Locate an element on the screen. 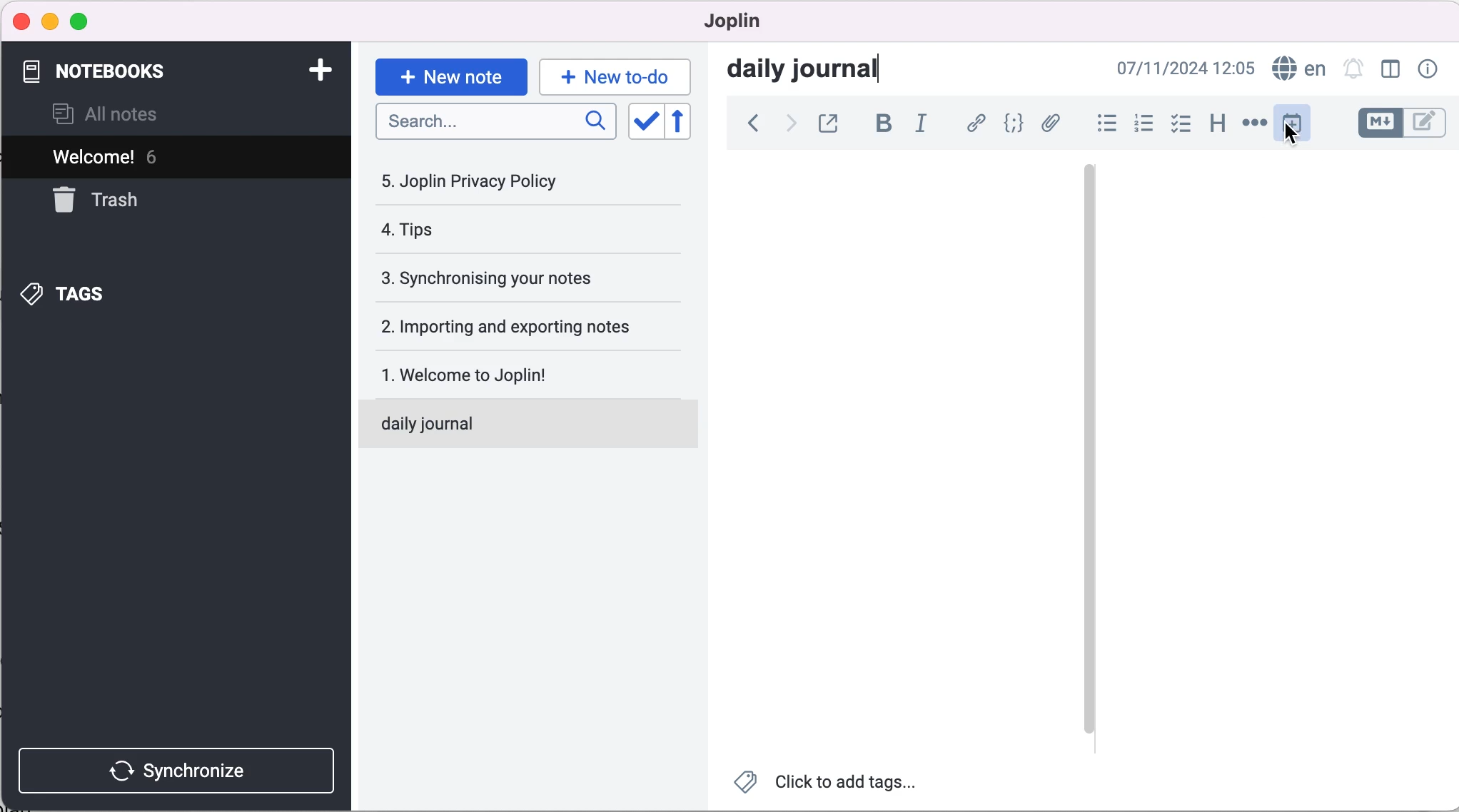 Image resolution: width=1459 pixels, height=812 pixels. synchronize is located at coordinates (180, 766).